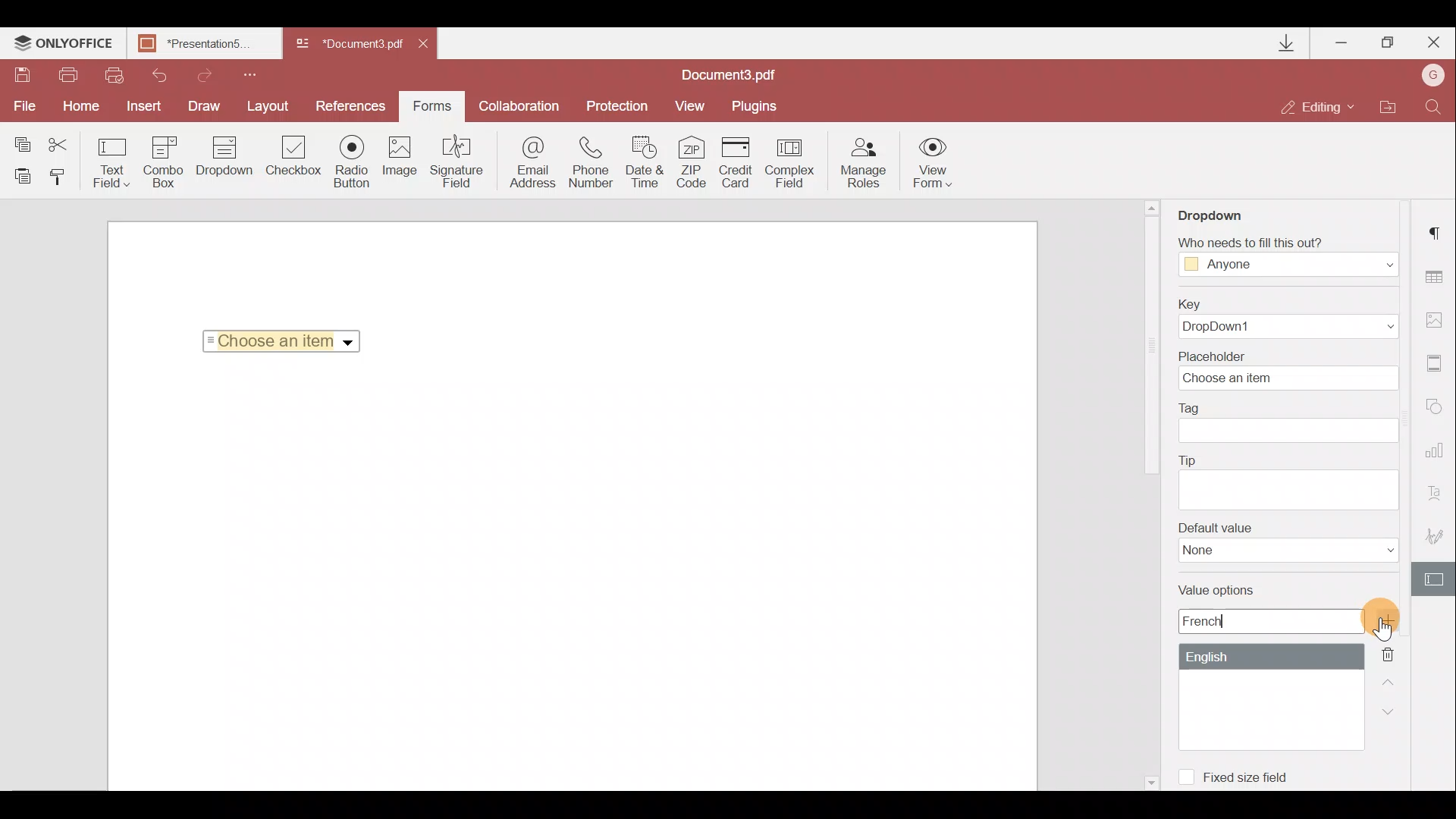  What do you see at coordinates (1438, 316) in the screenshot?
I see `Image settings` at bounding box center [1438, 316].